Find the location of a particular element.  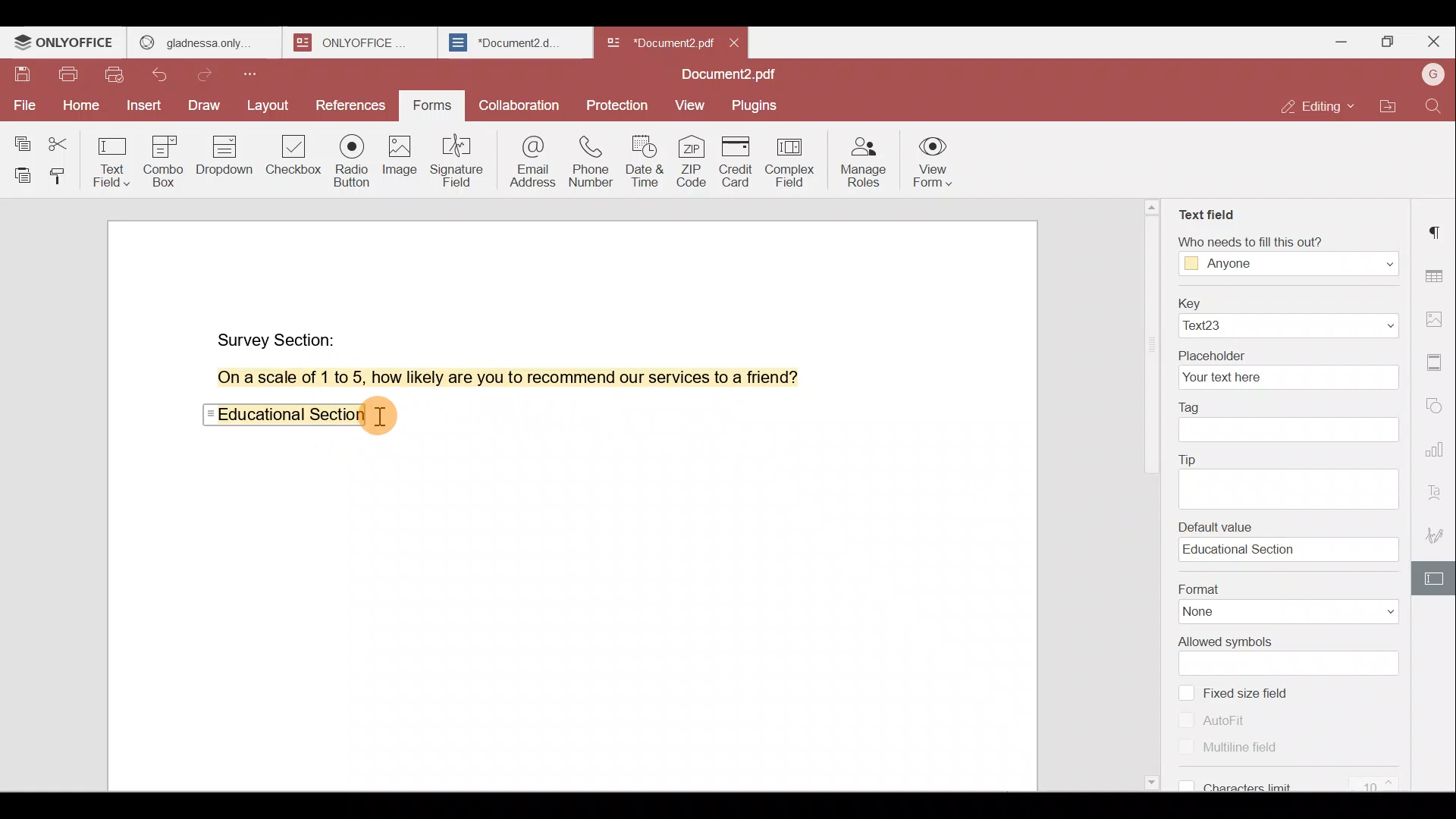

ONLYOFFICE is located at coordinates (65, 42).